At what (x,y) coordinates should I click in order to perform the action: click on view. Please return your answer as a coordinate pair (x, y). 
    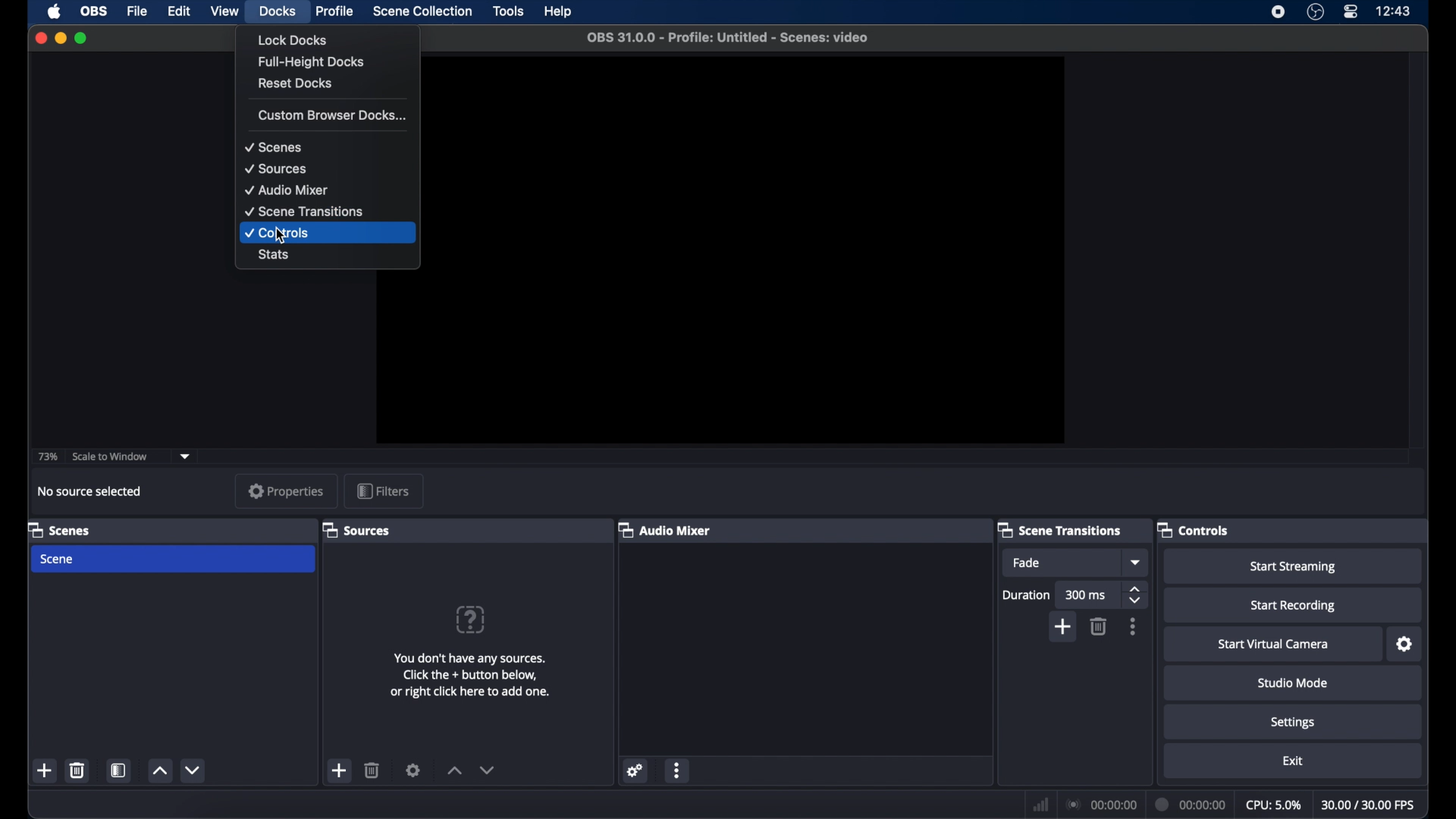
    Looking at the image, I should click on (224, 11).